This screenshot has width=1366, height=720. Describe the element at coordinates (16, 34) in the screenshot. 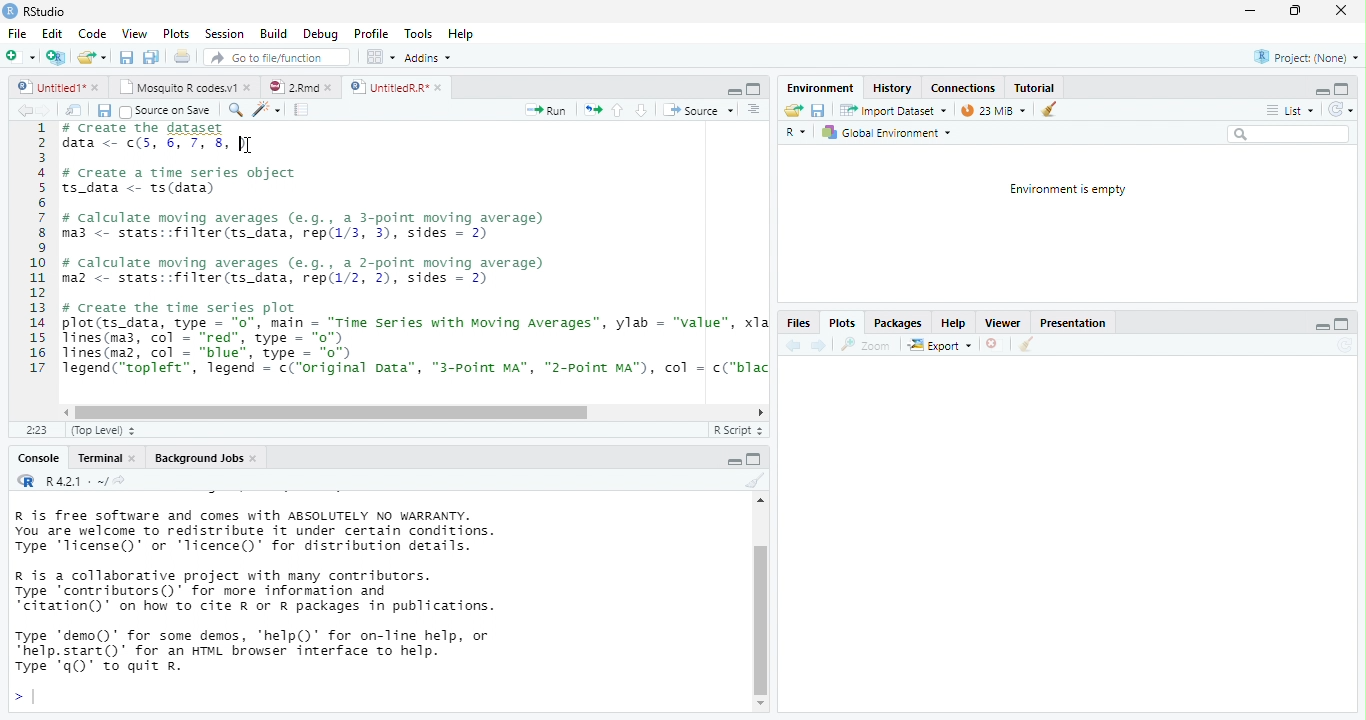

I see `File` at that location.